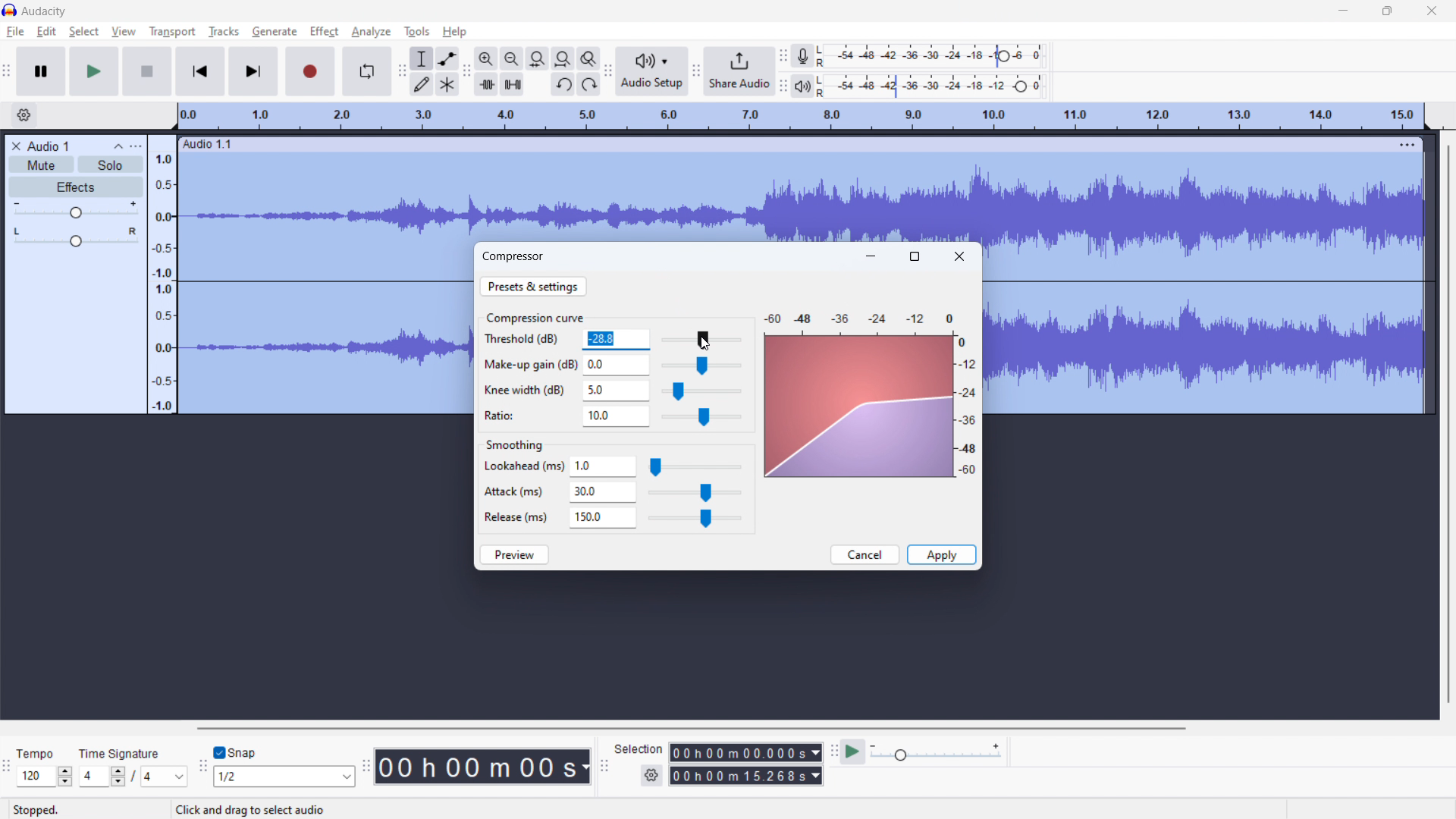  I want to click on  Threshold (dB), so click(528, 340).